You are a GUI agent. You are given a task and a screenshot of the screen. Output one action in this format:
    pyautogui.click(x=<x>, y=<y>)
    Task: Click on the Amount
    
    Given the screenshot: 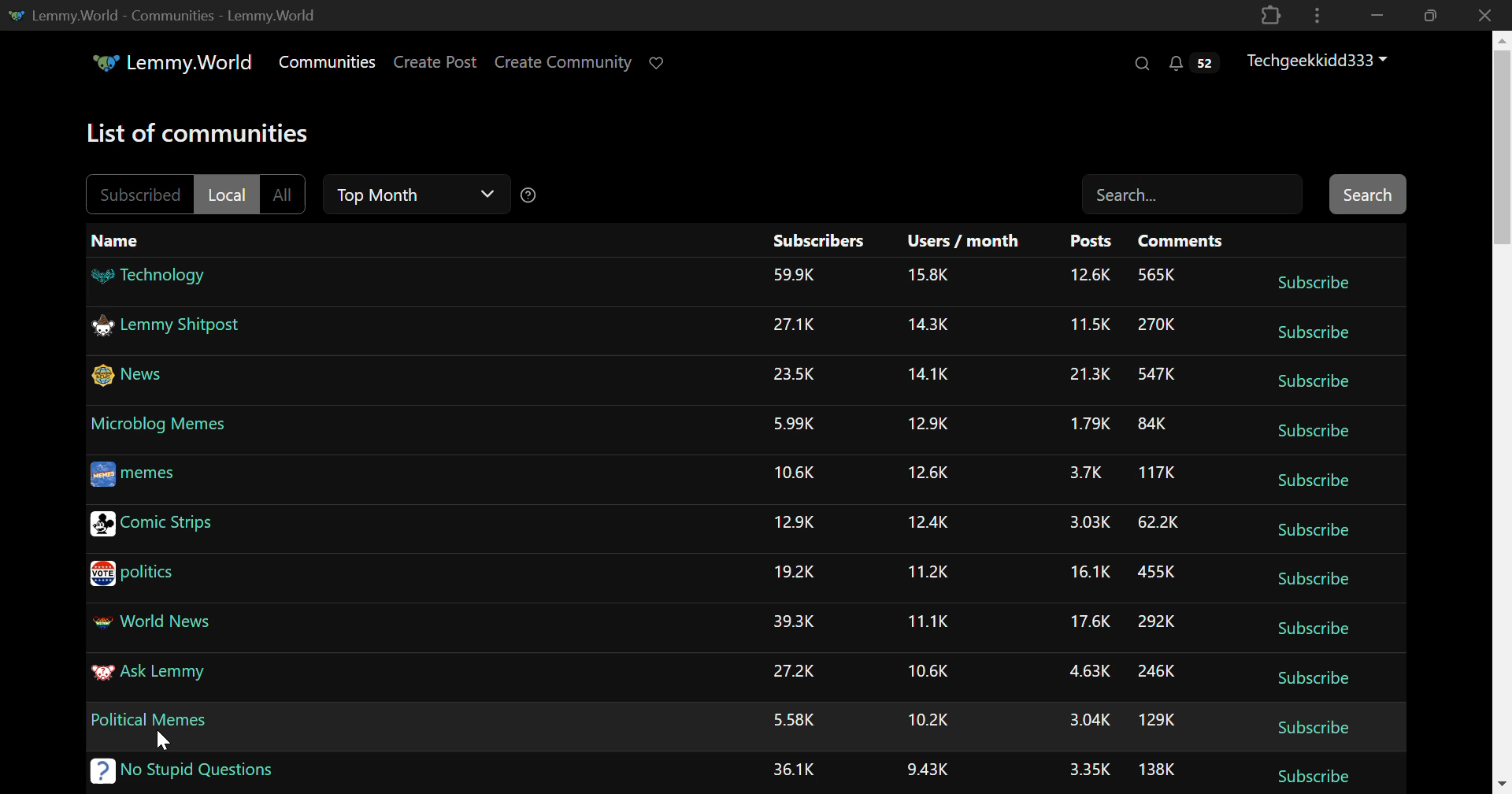 What is the action you would take?
    pyautogui.click(x=1085, y=625)
    